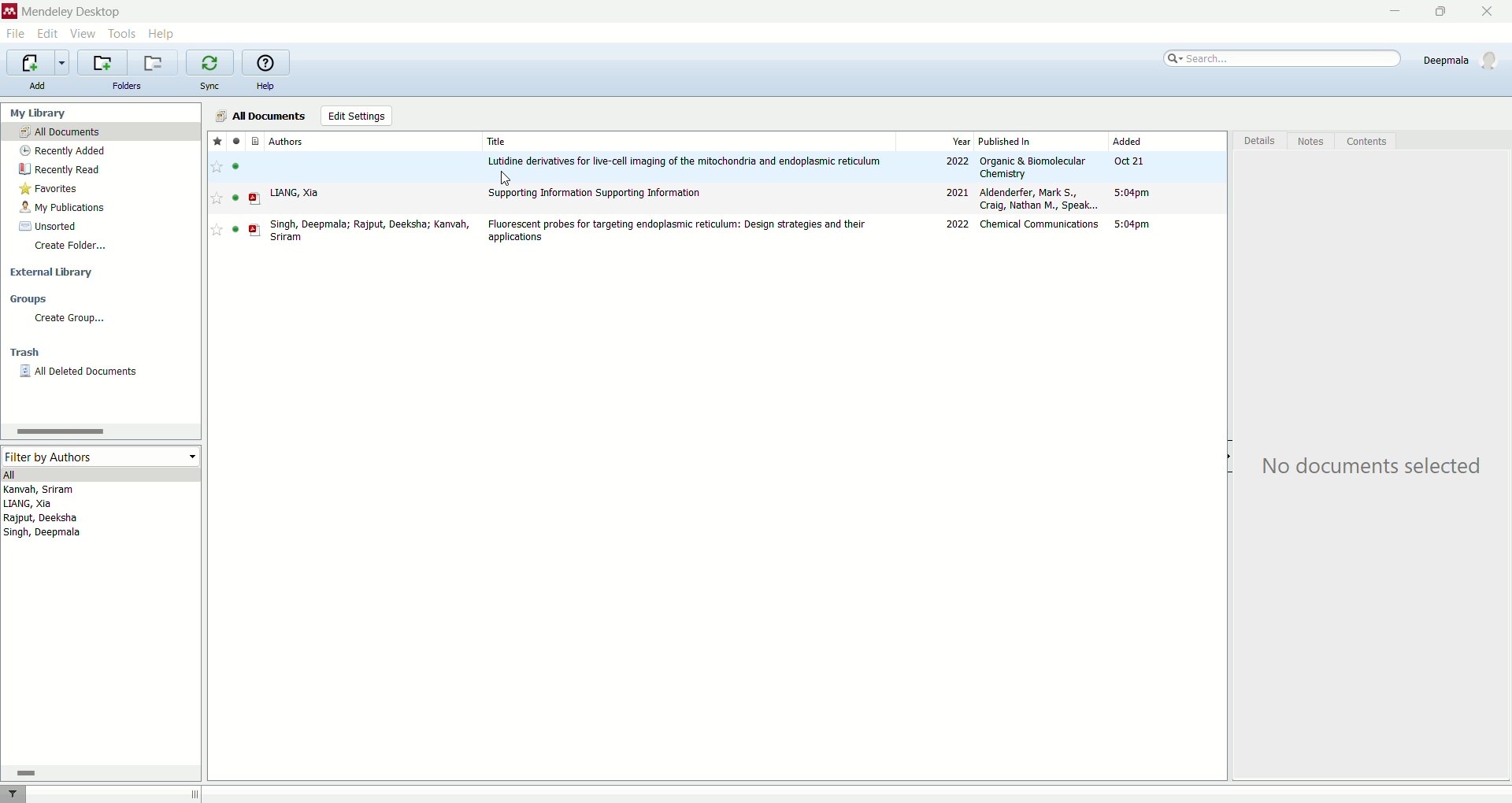 Image resolution: width=1512 pixels, height=803 pixels. Describe the element at coordinates (217, 198) in the screenshot. I see `Favourite` at that location.